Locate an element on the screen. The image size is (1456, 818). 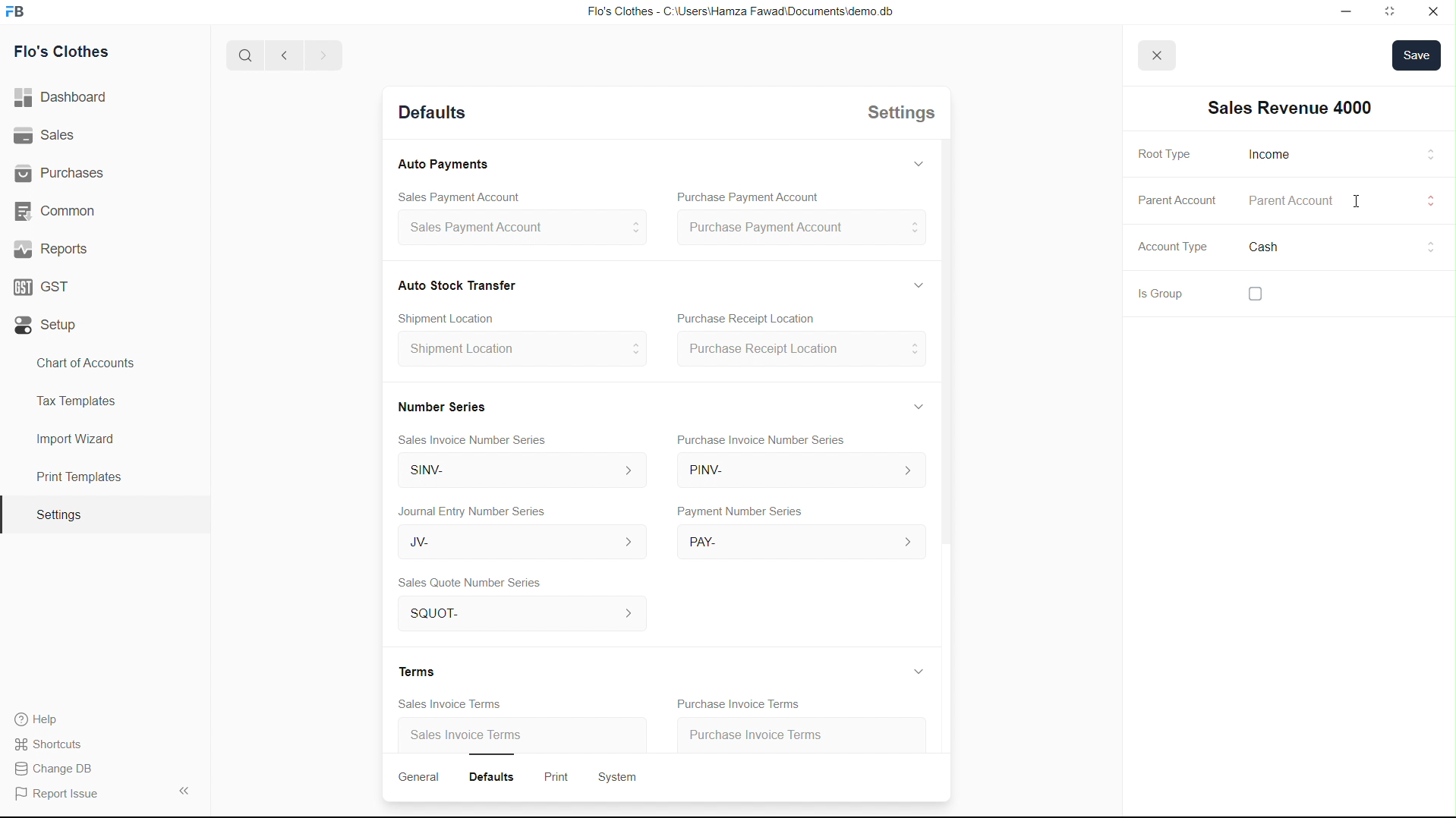
Root Type is located at coordinates (1162, 155).